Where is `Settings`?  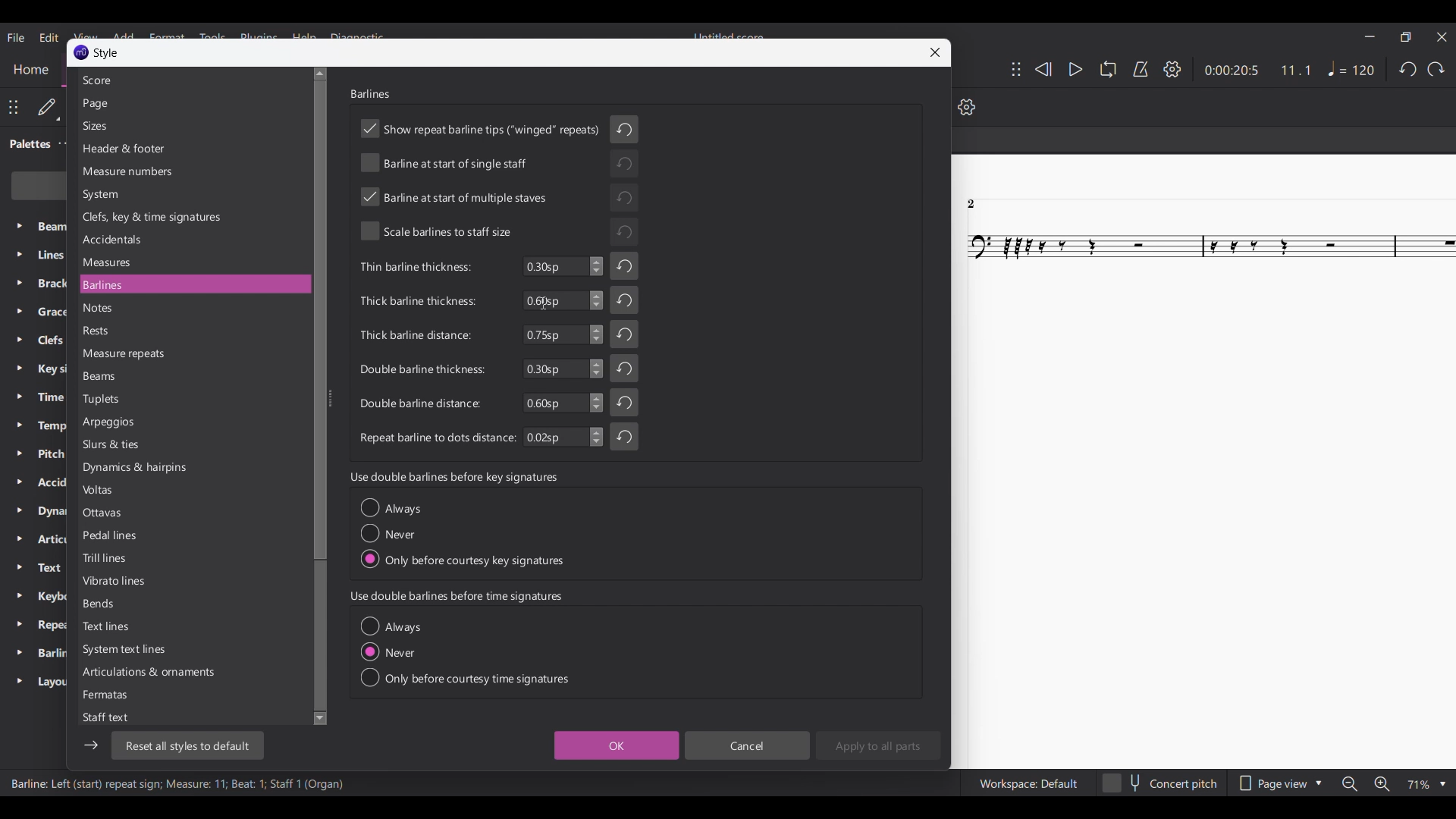
Settings is located at coordinates (967, 106).